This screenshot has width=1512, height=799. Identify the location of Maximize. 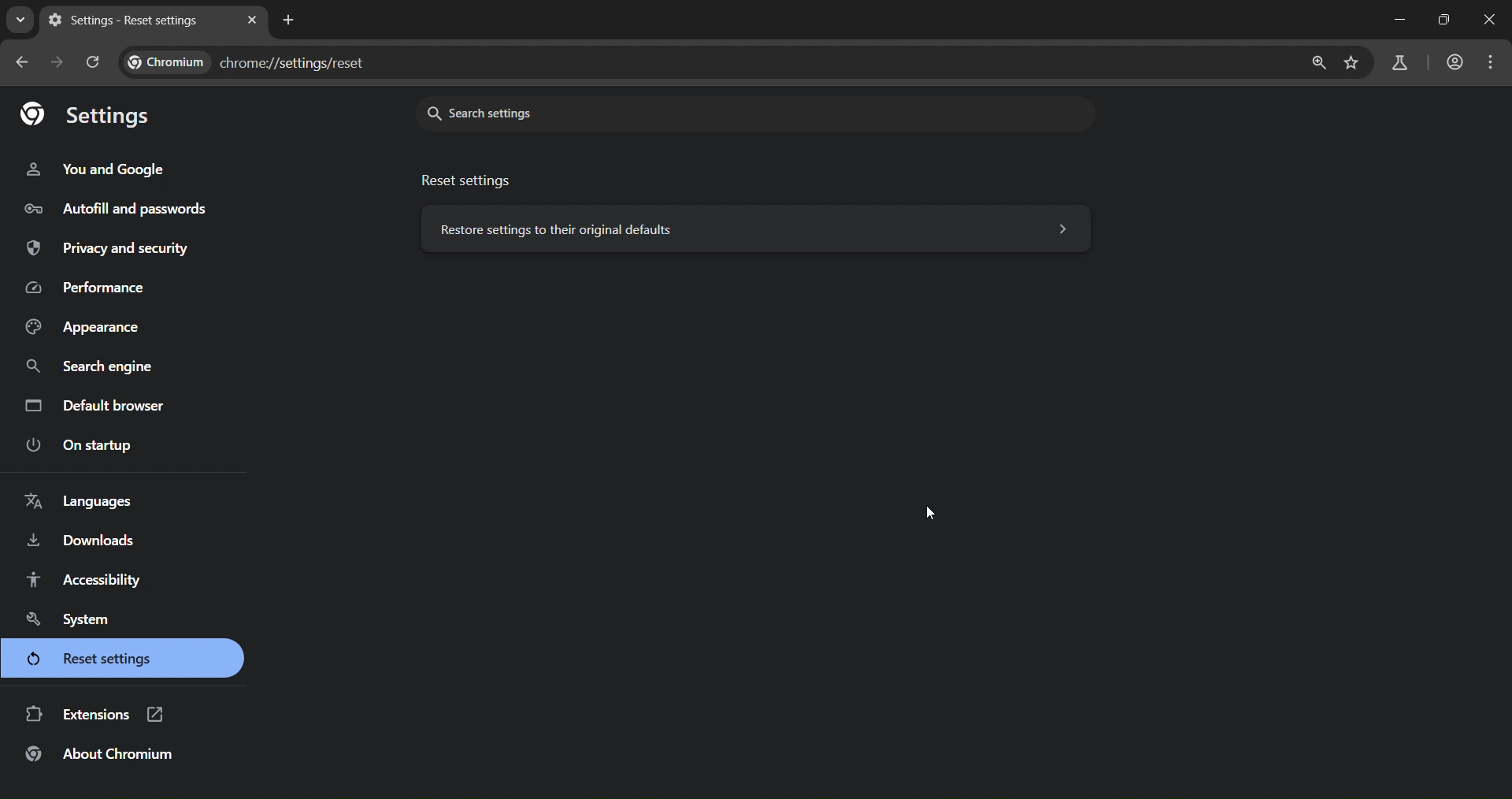
(1447, 19).